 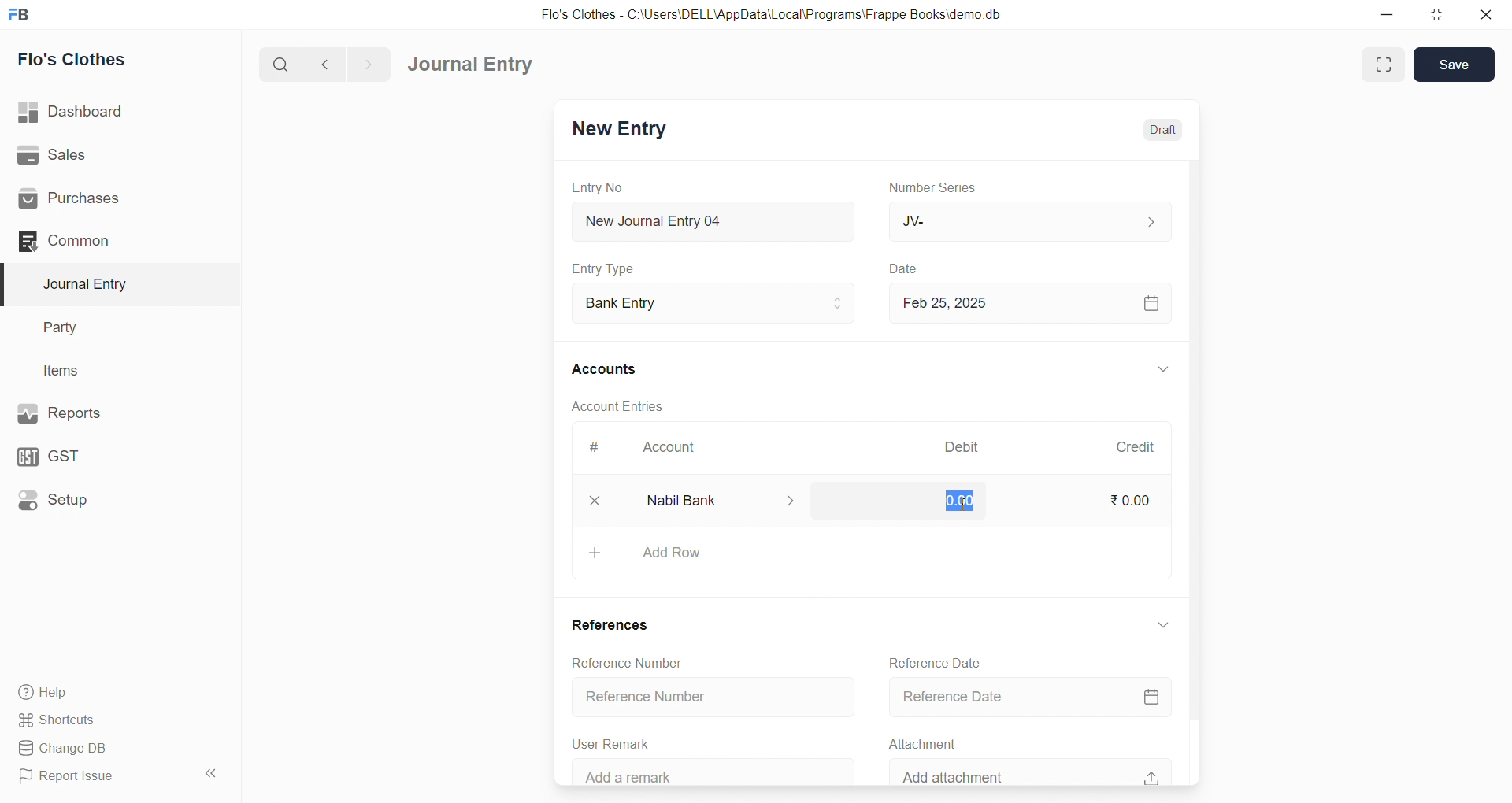 I want to click on cursor, so click(x=958, y=504).